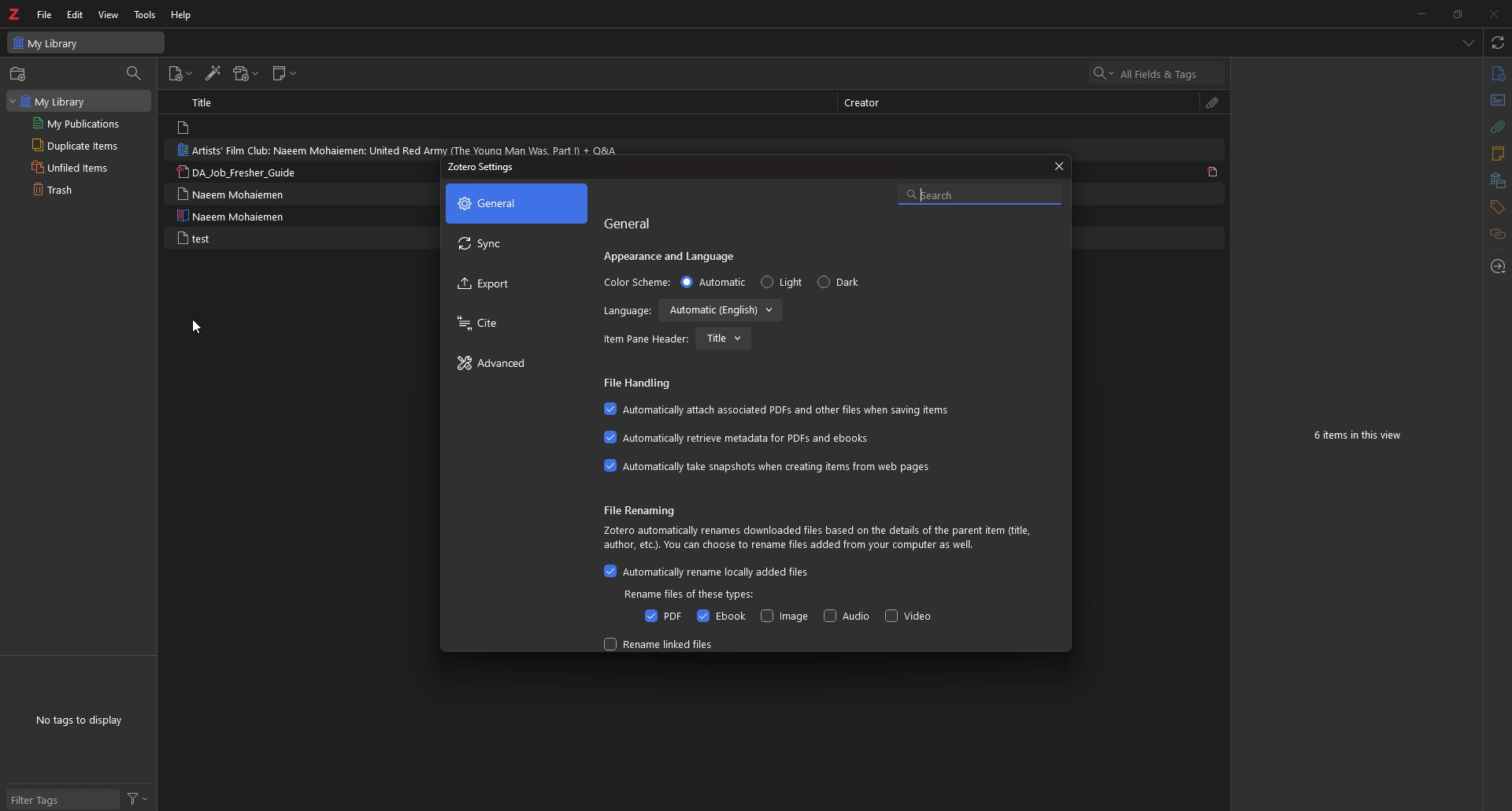 The image size is (1512, 811). What do you see at coordinates (197, 326) in the screenshot?
I see `cursor` at bounding box center [197, 326].